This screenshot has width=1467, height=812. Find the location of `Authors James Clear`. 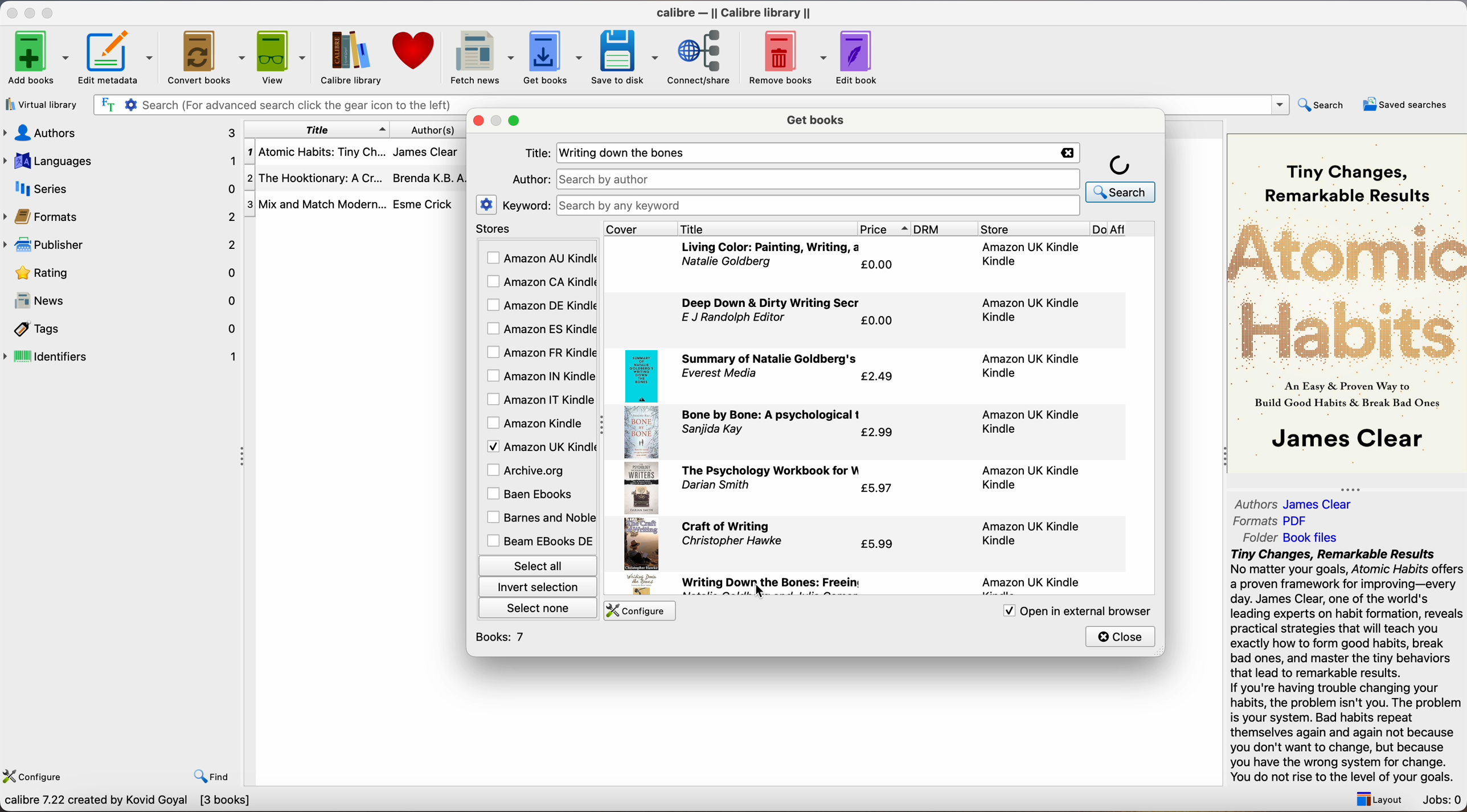

Authors James Clear is located at coordinates (1294, 505).